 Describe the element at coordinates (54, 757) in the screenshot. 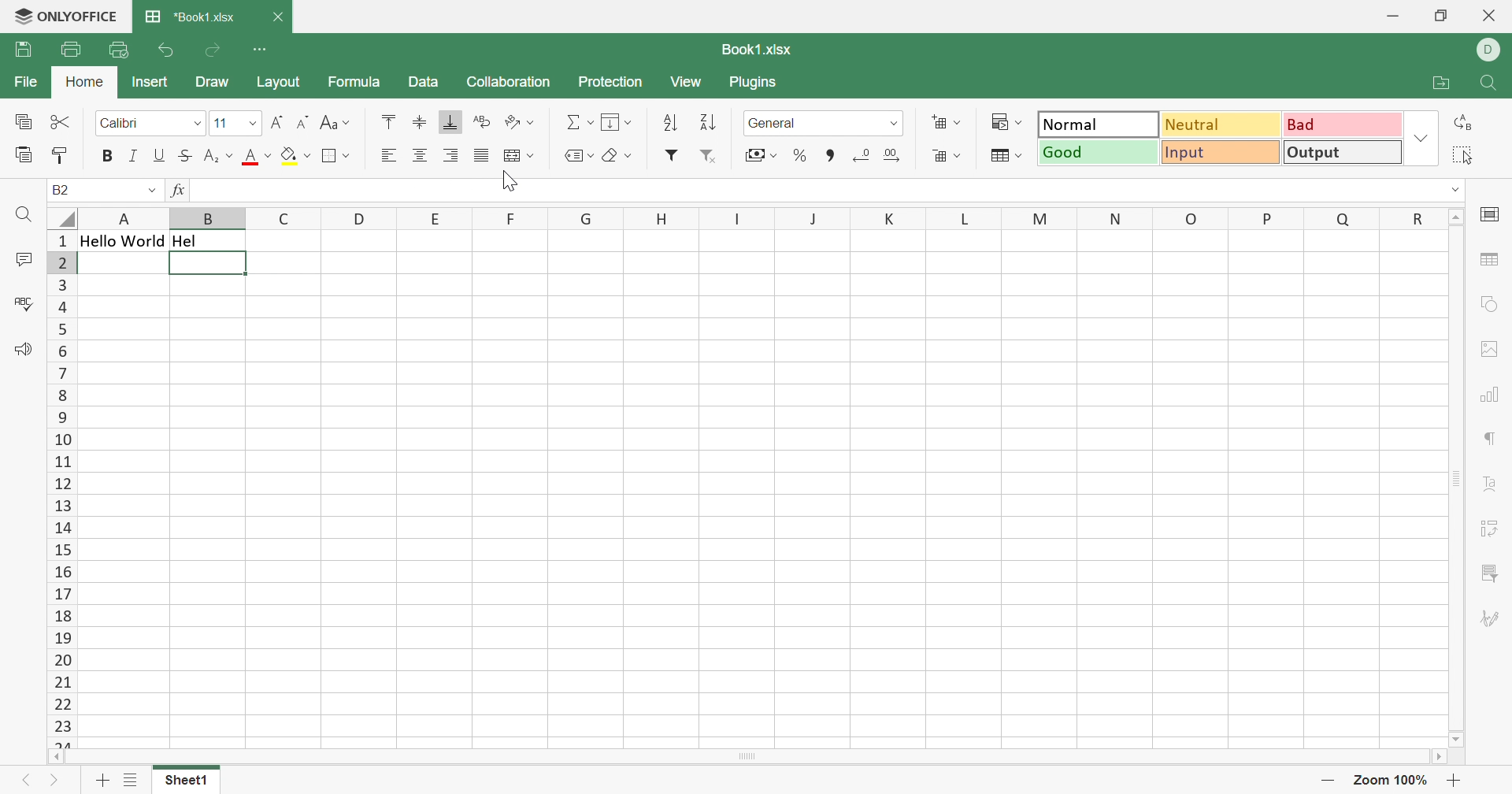

I see `Scroll left` at that location.